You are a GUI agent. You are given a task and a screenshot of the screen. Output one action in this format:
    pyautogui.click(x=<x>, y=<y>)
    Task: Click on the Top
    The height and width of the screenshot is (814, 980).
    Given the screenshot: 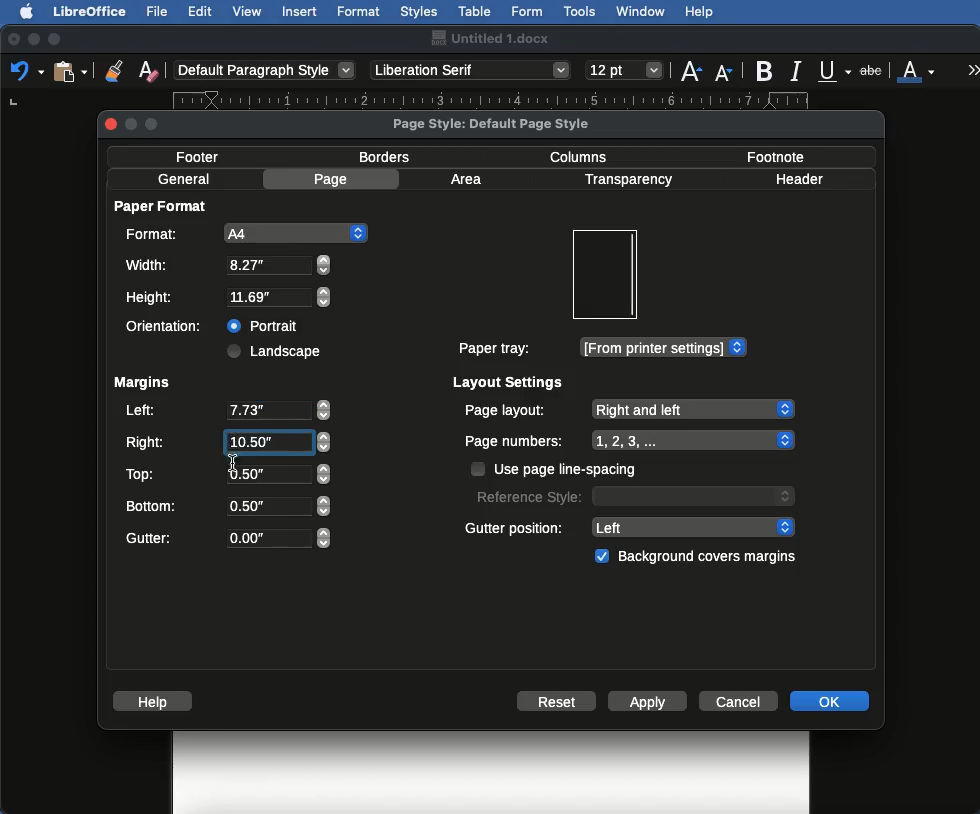 What is the action you would take?
    pyautogui.click(x=225, y=474)
    